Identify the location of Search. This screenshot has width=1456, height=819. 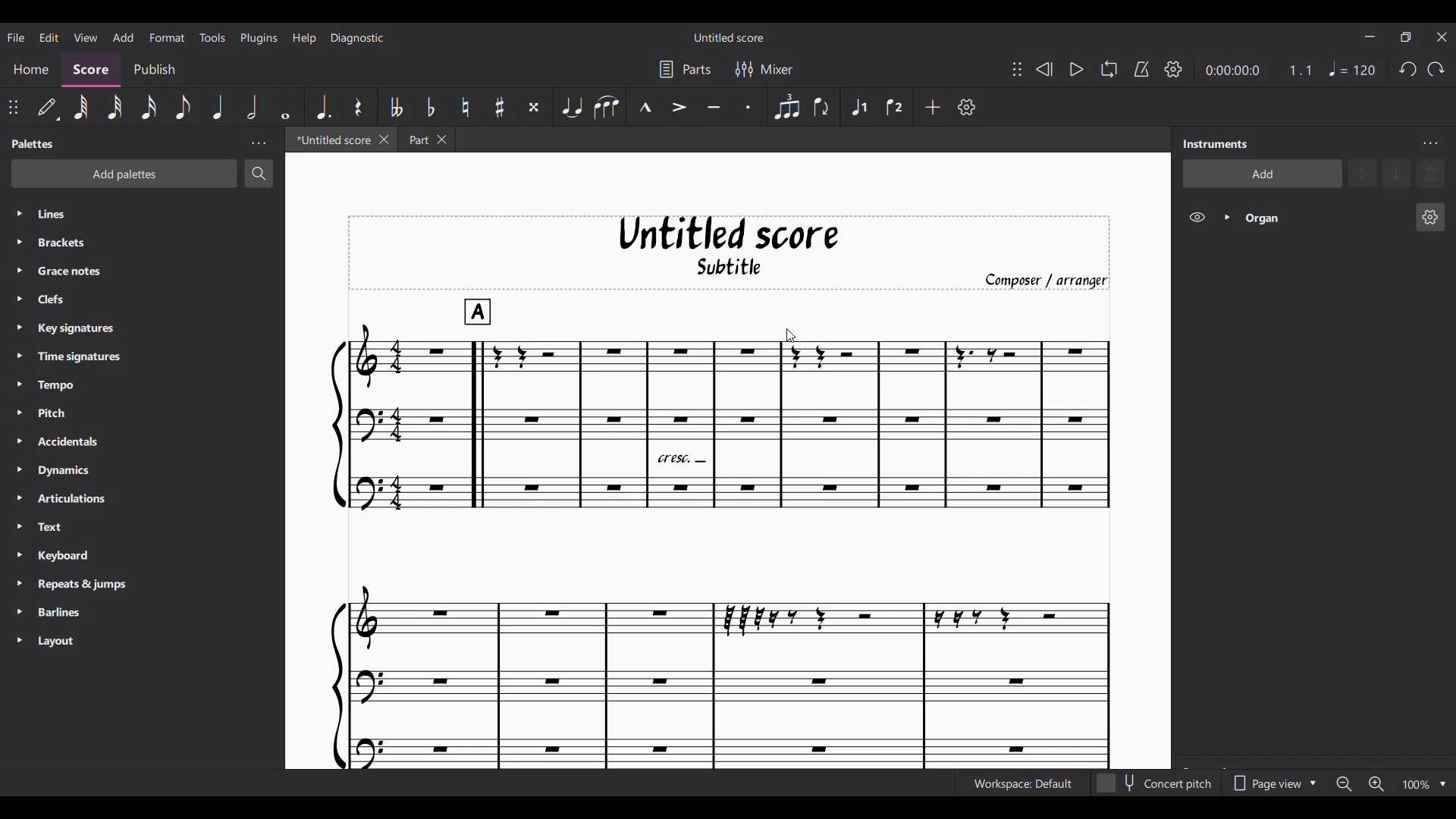
(259, 173).